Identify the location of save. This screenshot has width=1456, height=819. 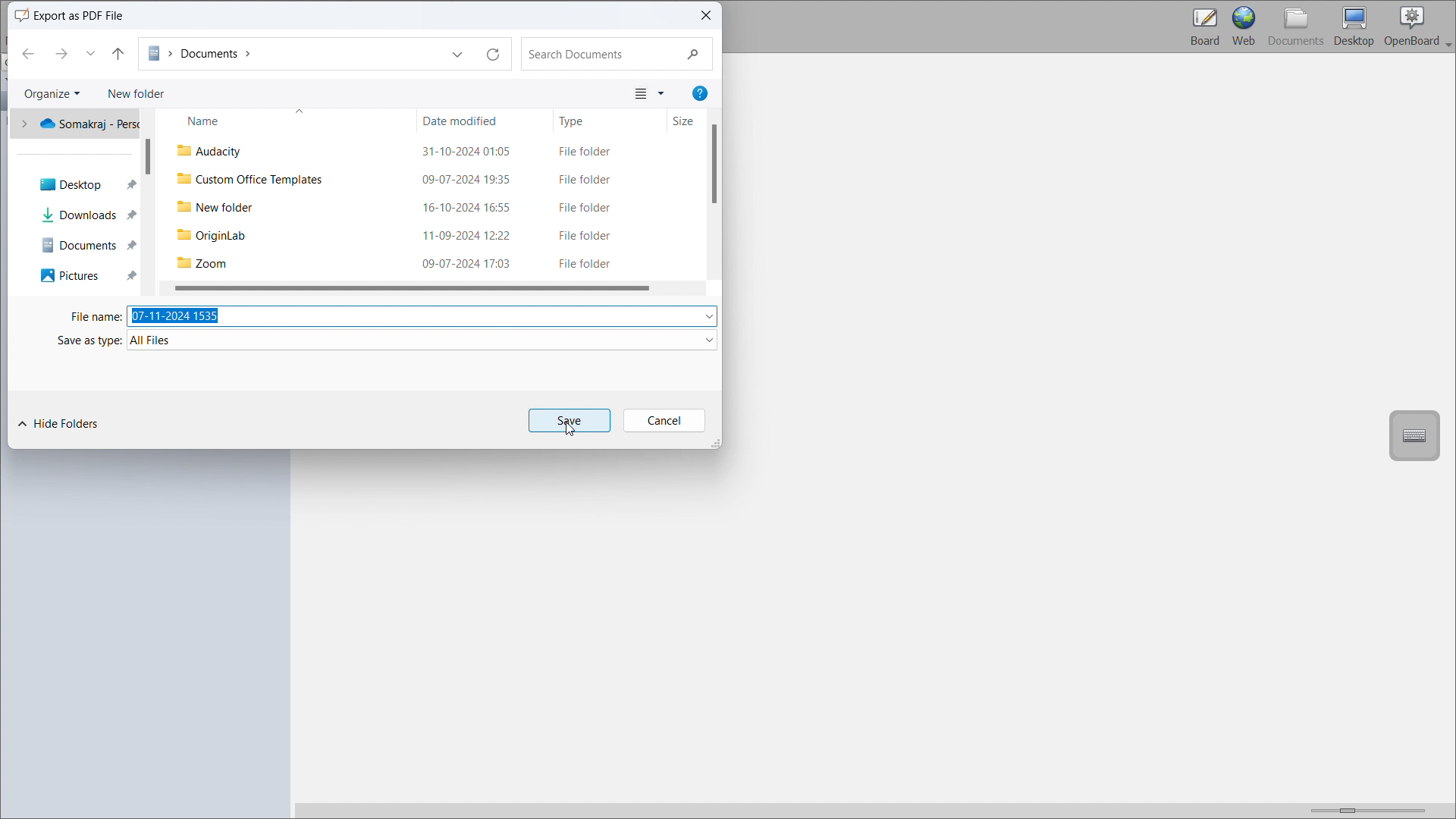
(568, 421).